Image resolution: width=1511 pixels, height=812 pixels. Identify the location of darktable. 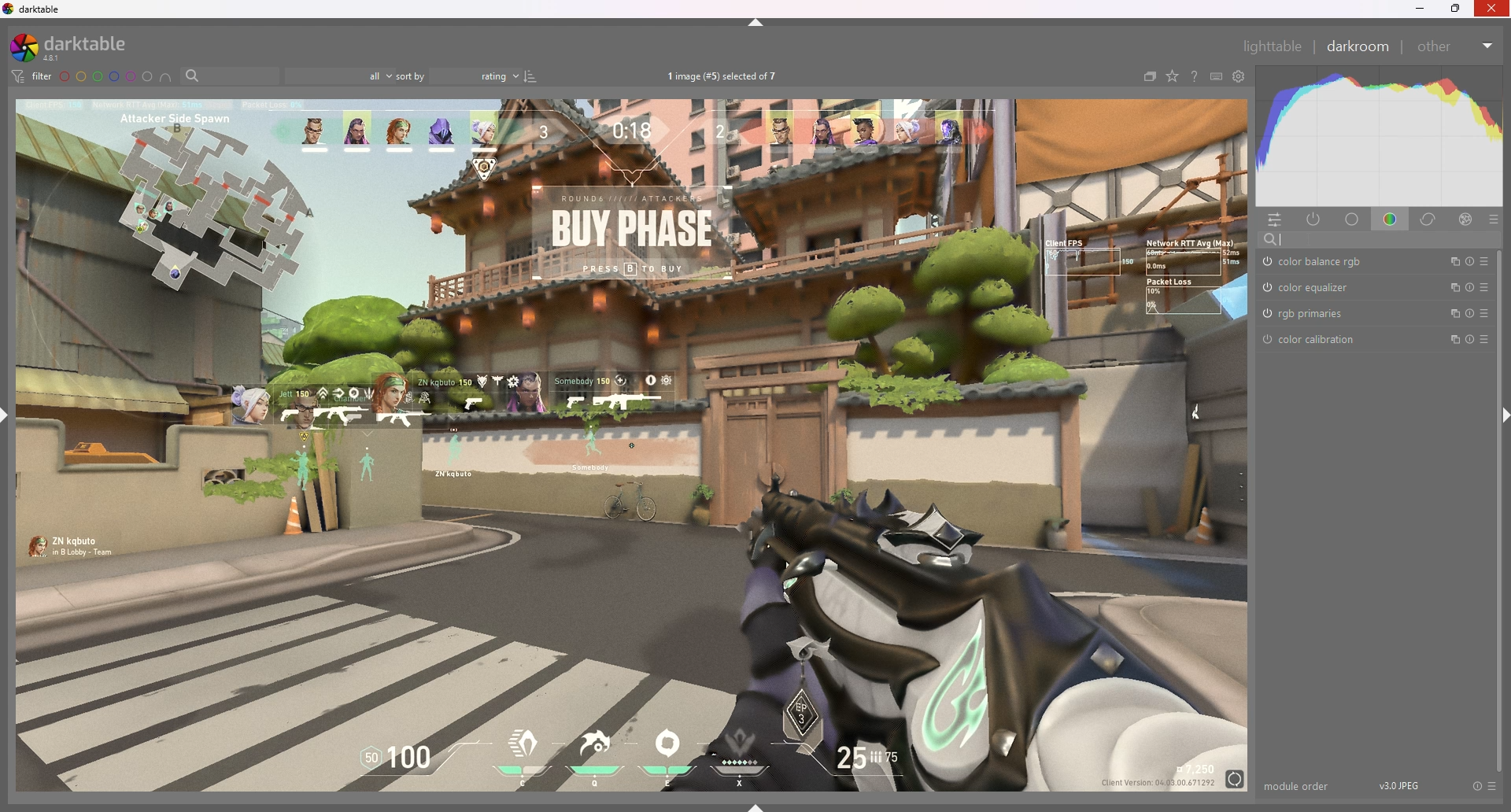
(35, 9).